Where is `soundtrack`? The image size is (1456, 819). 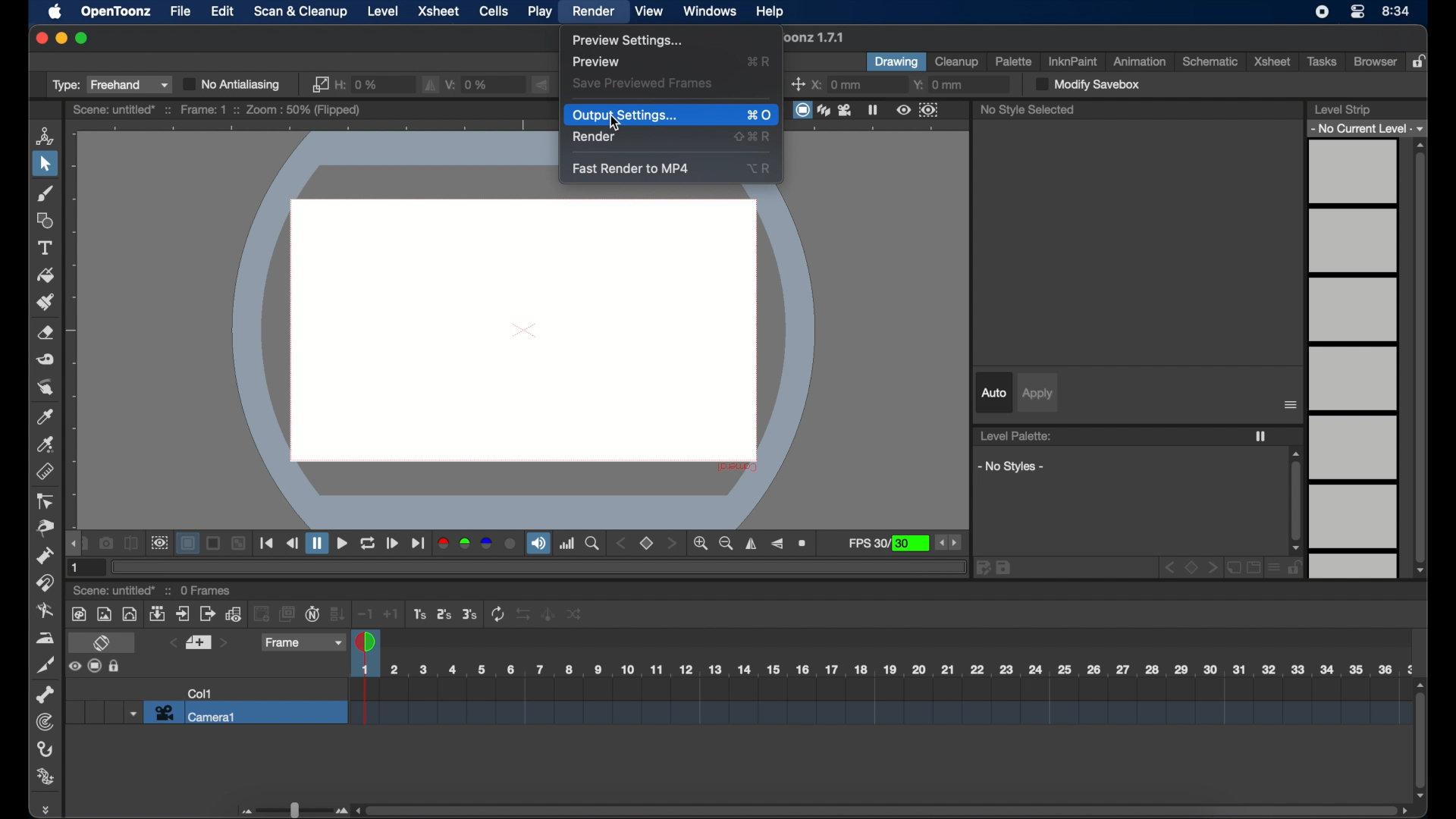 soundtrack is located at coordinates (538, 544).